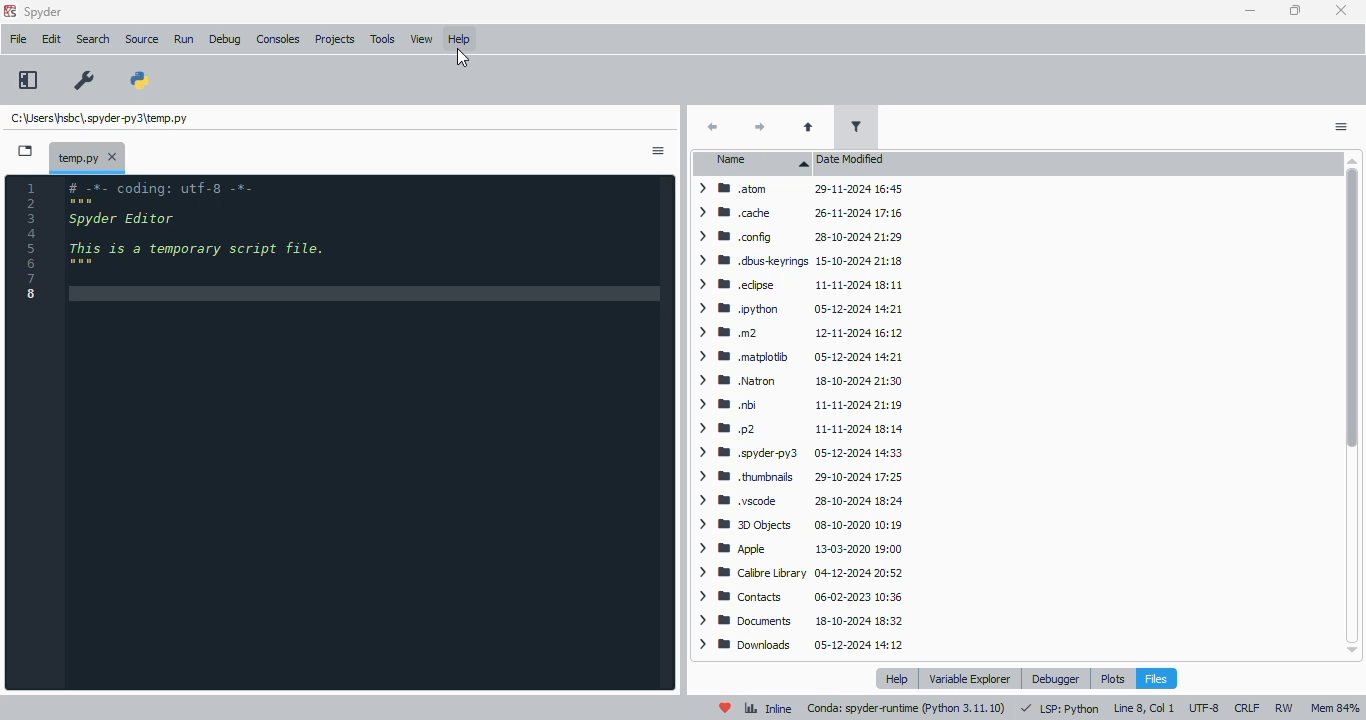 The height and width of the screenshot is (720, 1366). I want to click on UTF-8, so click(1203, 707).